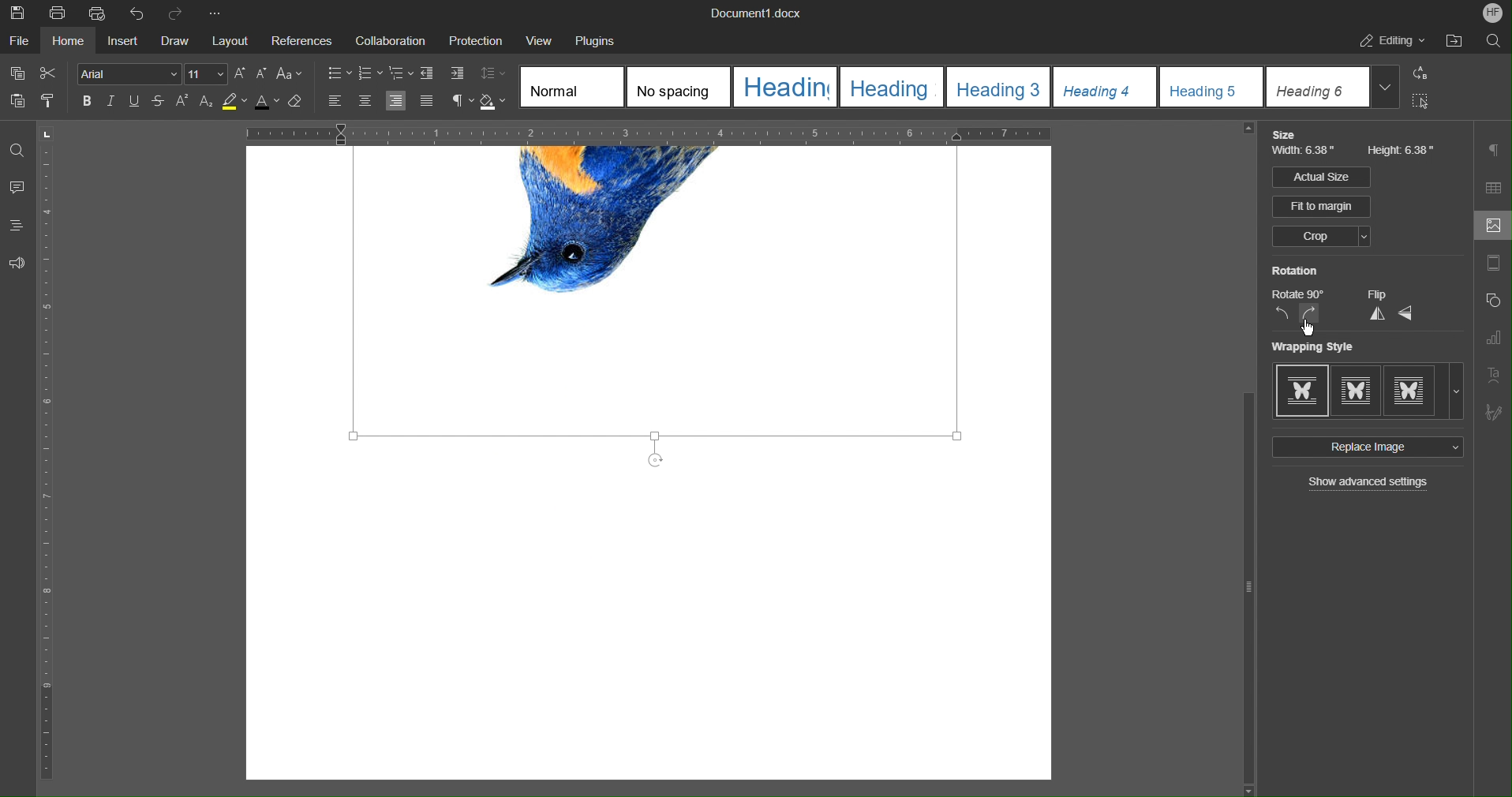 Image resolution: width=1512 pixels, height=797 pixels. I want to click on Flip Horizontally, so click(1407, 313).